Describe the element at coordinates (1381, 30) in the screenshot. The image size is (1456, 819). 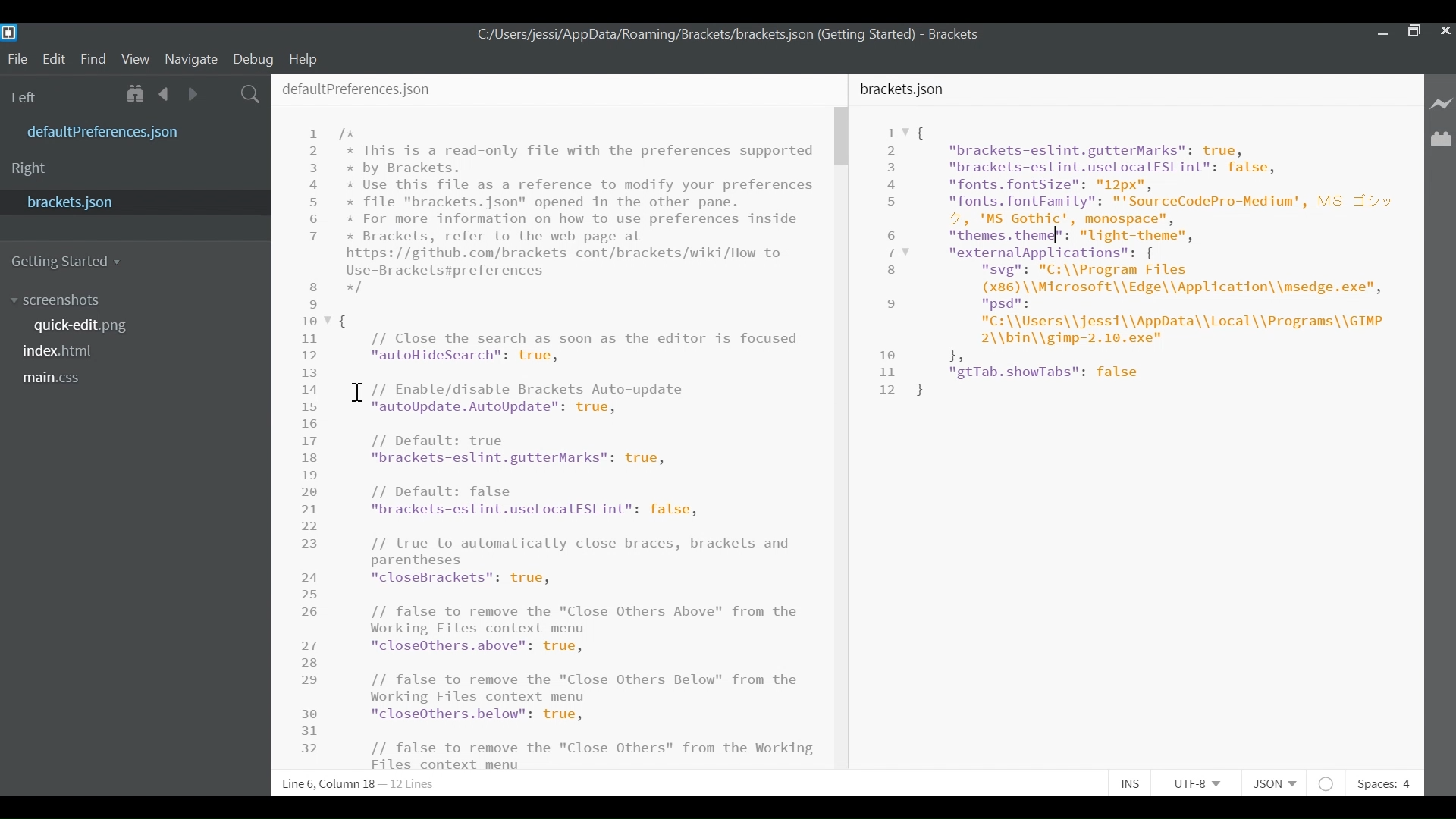
I see `minimize` at that location.